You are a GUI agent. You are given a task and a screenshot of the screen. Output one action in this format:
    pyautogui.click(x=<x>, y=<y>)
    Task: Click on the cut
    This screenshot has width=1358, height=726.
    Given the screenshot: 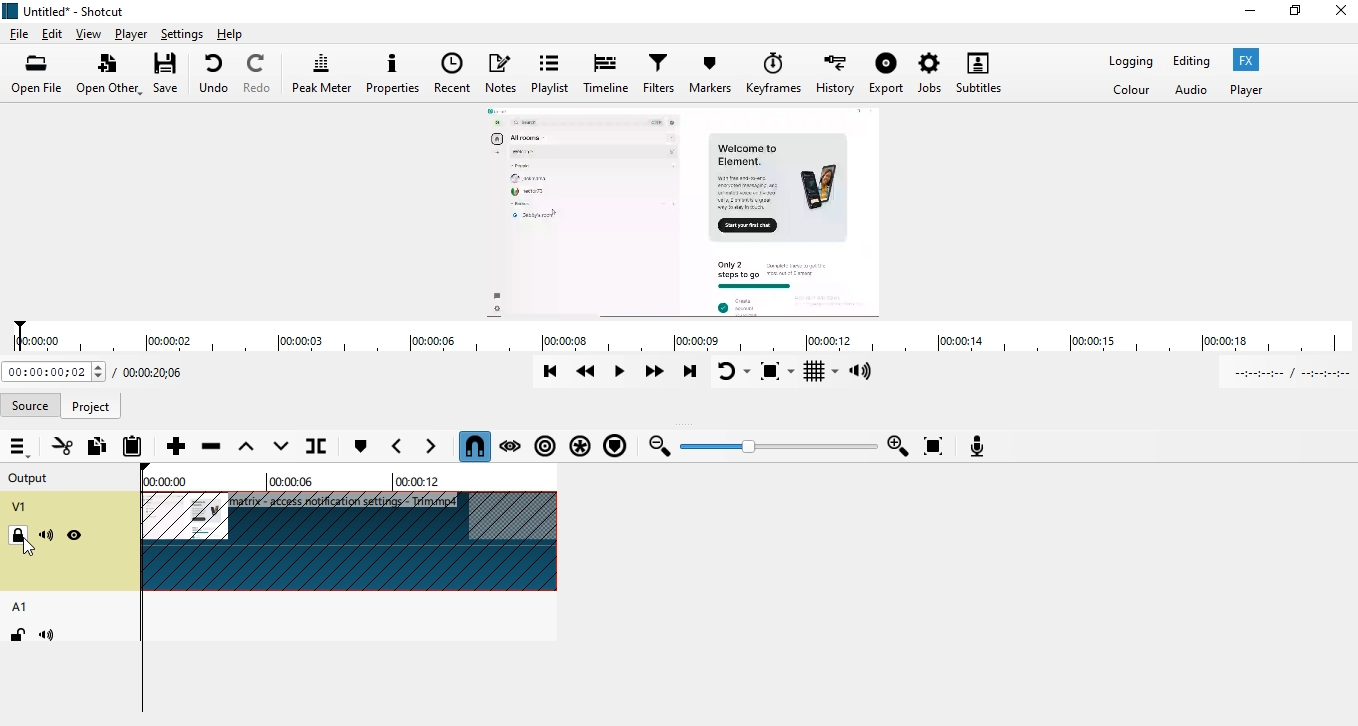 What is the action you would take?
    pyautogui.click(x=62, y=446)
    